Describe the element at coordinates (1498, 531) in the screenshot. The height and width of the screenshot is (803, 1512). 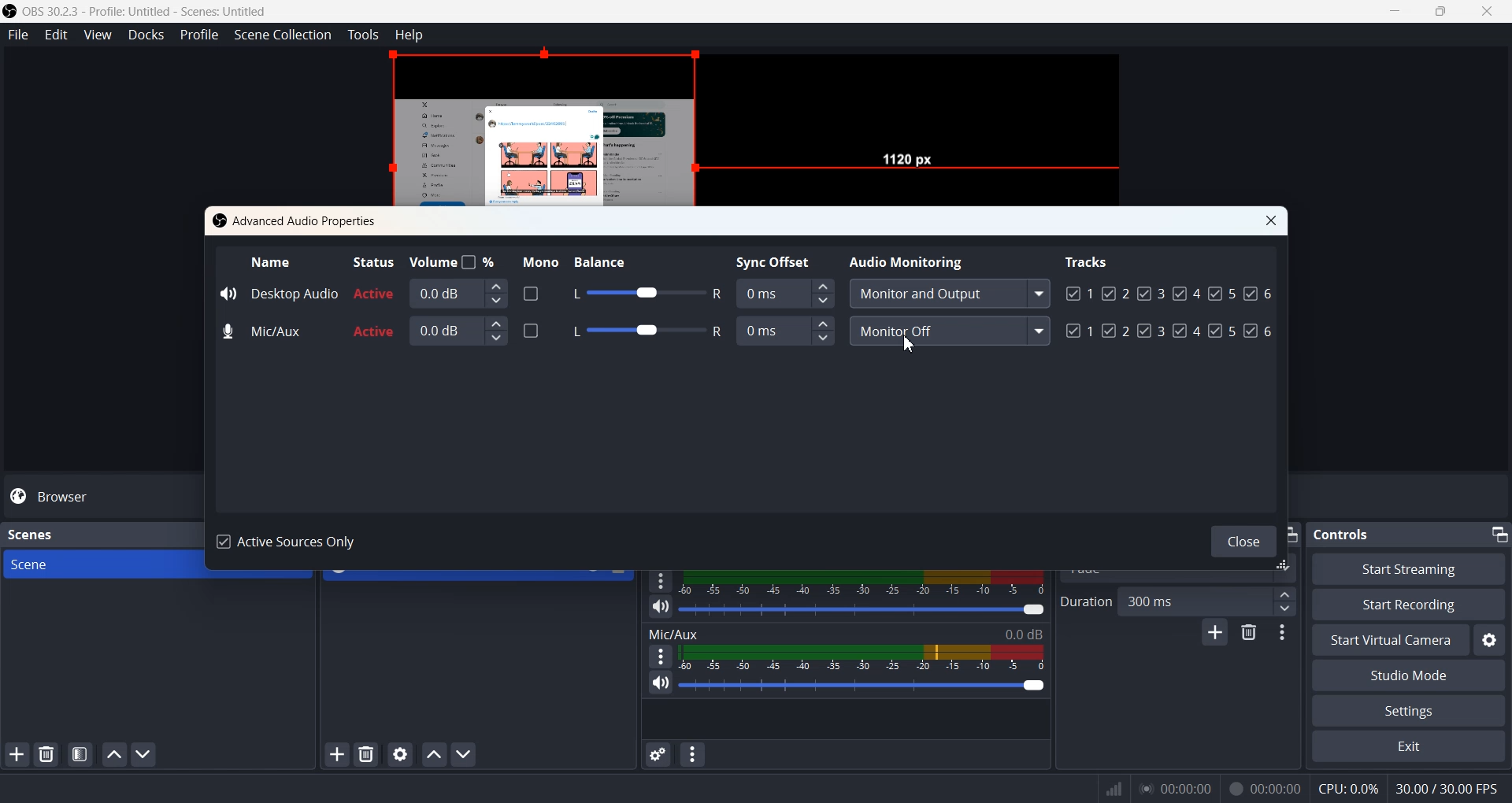
I see `Minimize` at that location.